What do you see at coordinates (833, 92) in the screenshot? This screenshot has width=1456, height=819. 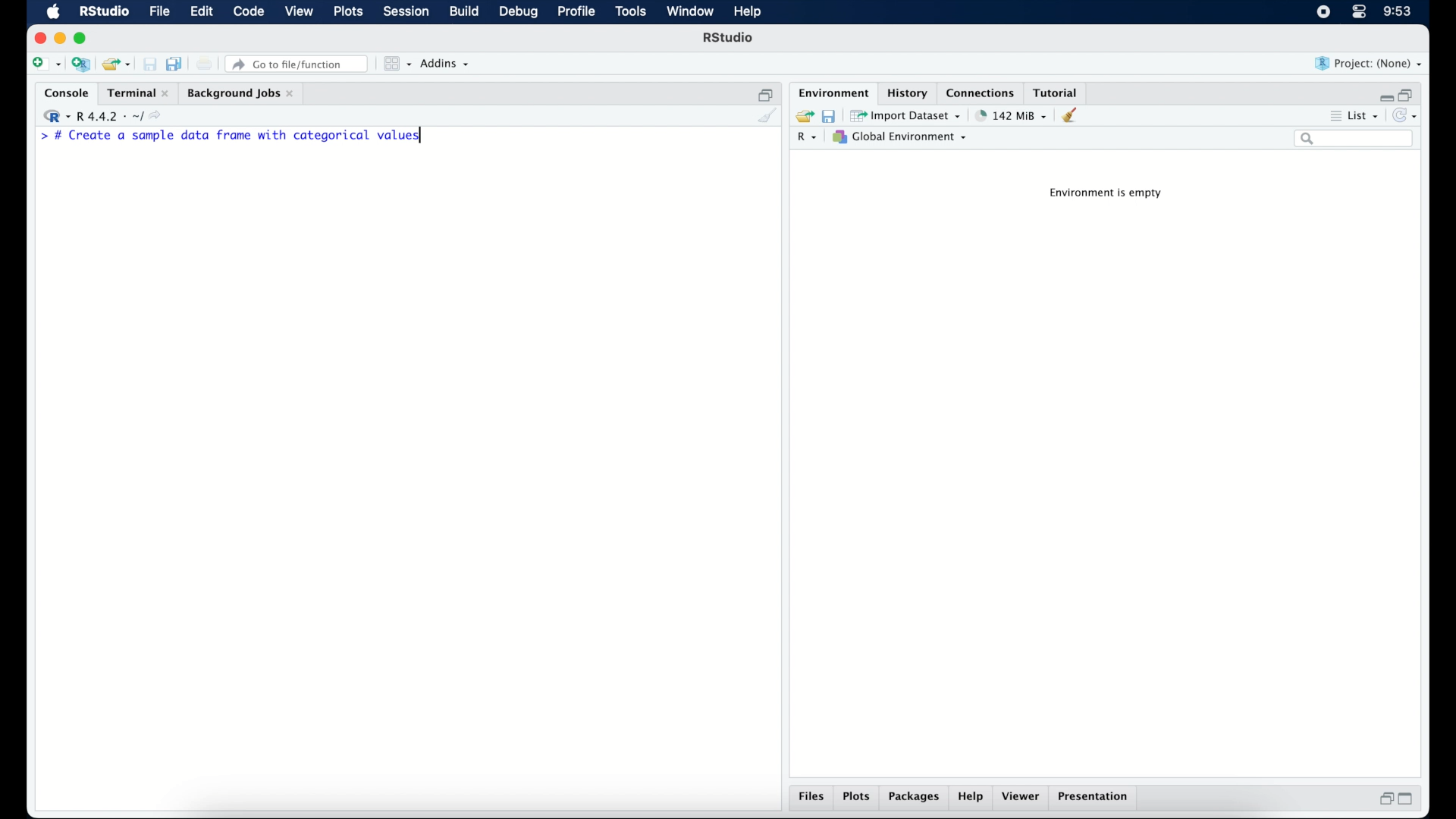 I see `environment` at bounding box center [833, 92].